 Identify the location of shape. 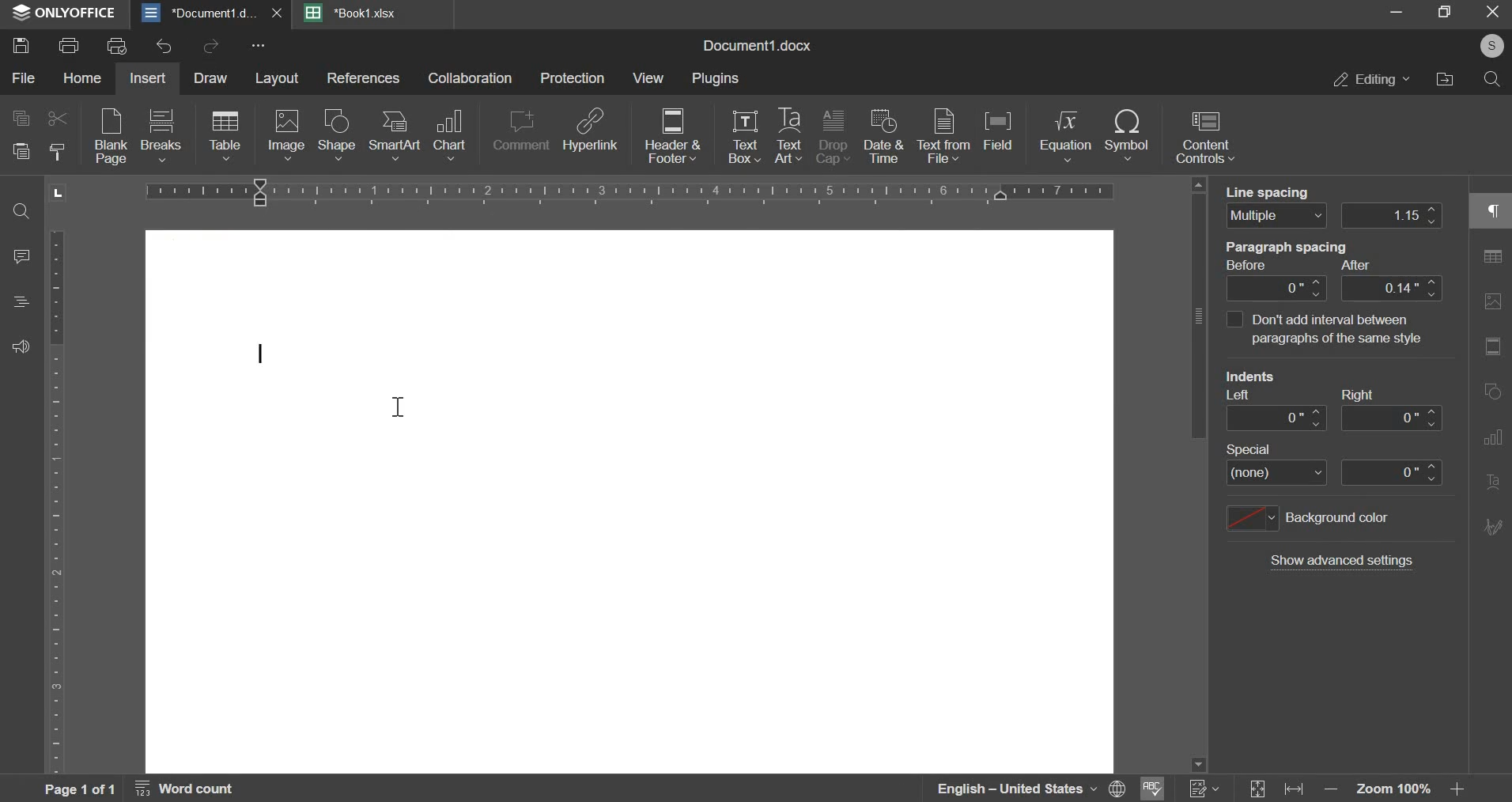
(335, 136).